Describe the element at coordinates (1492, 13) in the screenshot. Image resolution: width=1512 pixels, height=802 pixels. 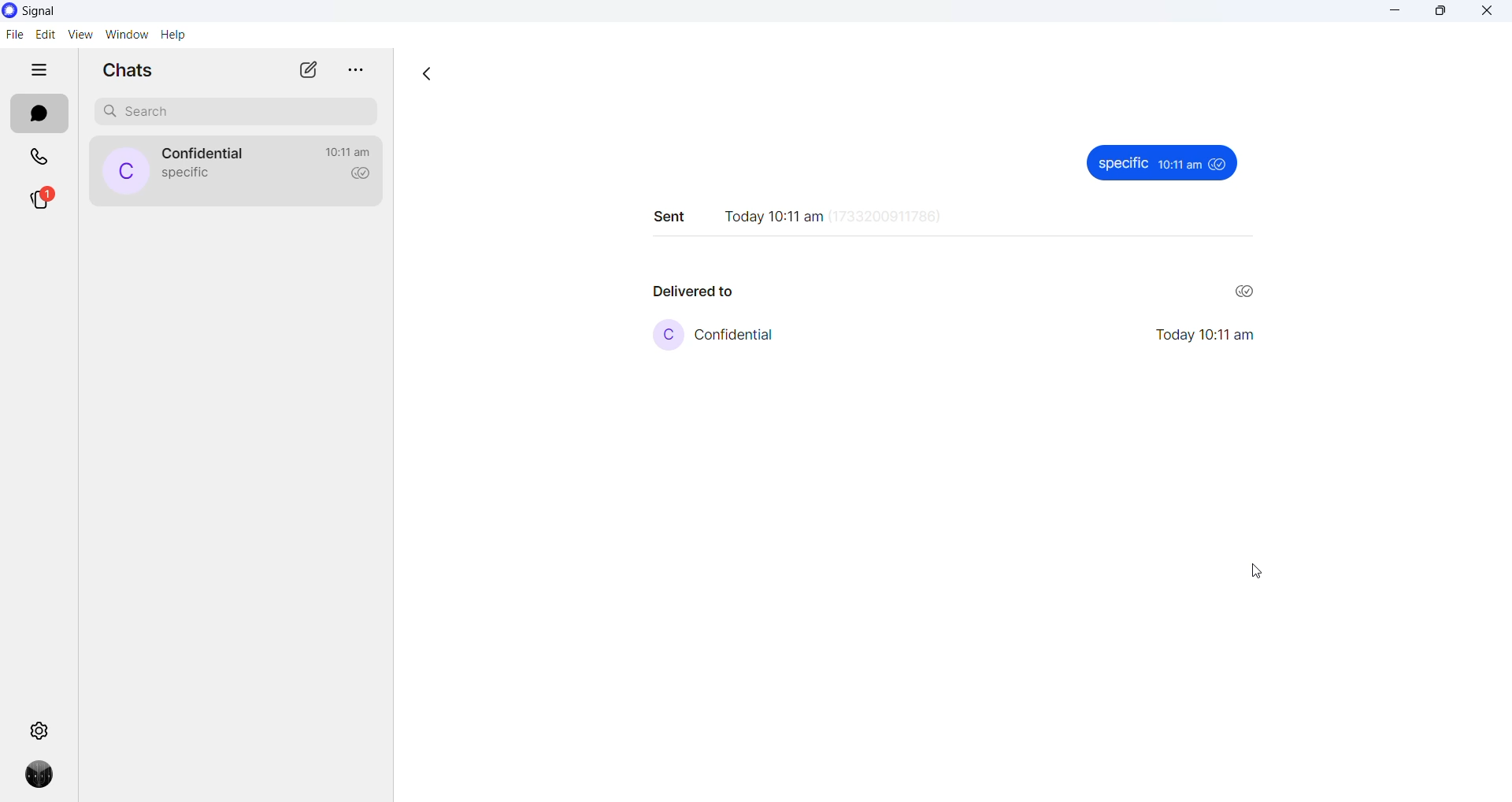
I see `close` at that location.